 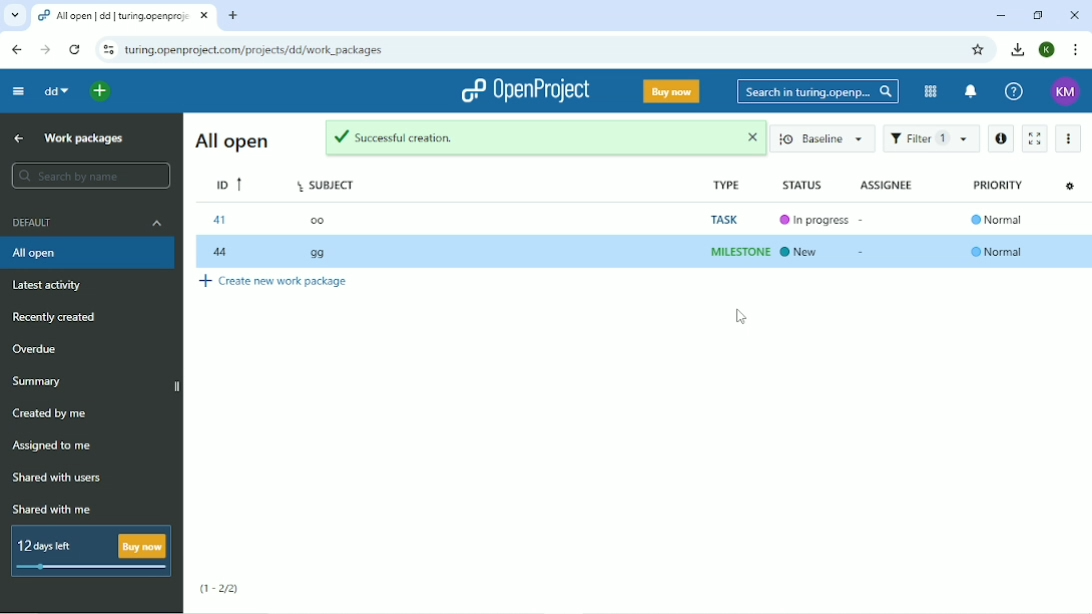 What do you see at coordinates (1018, 50) in the screenshot?
I see `Downloads` at bounding box center [1018, 50].